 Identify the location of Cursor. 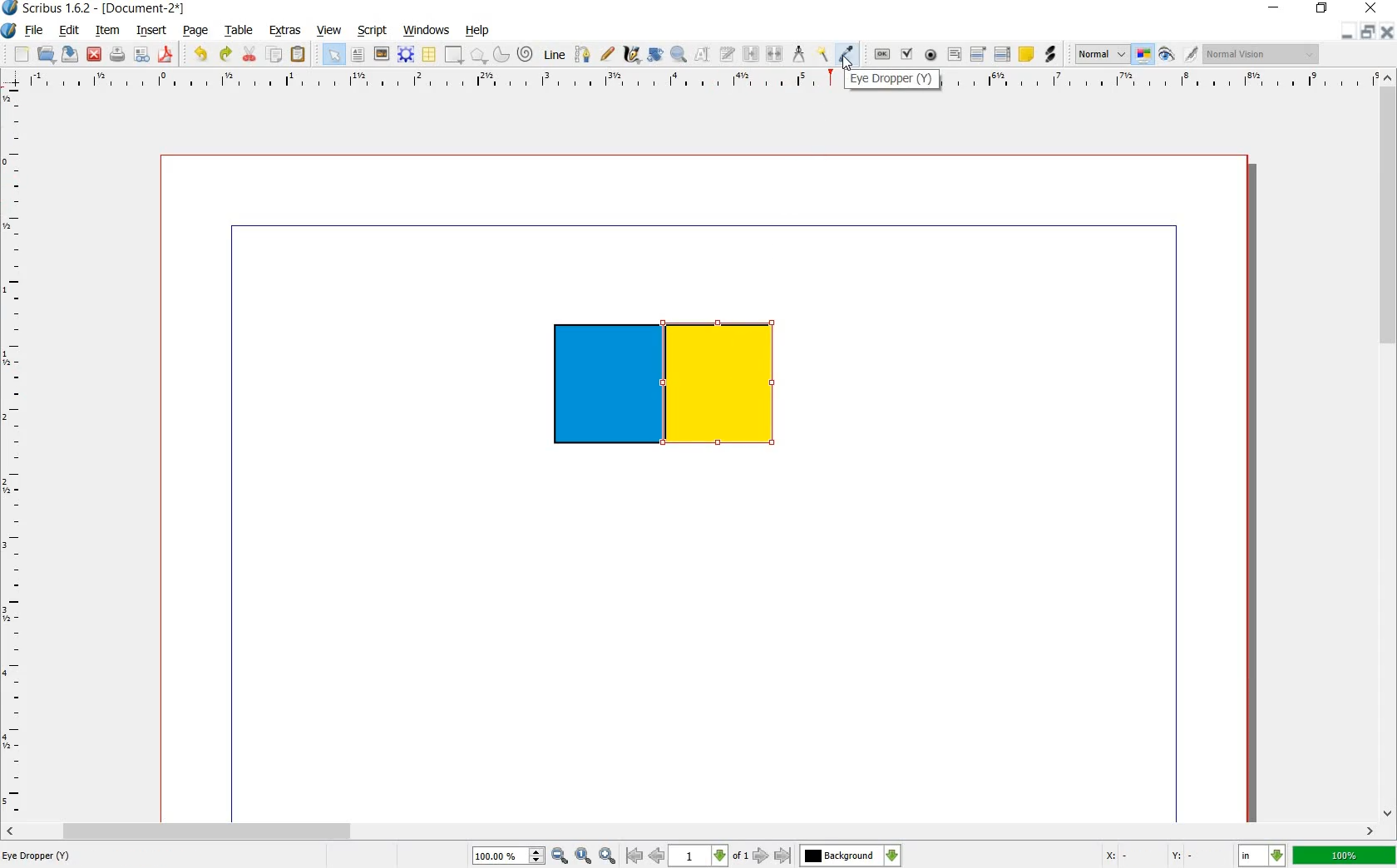
(847, 63).